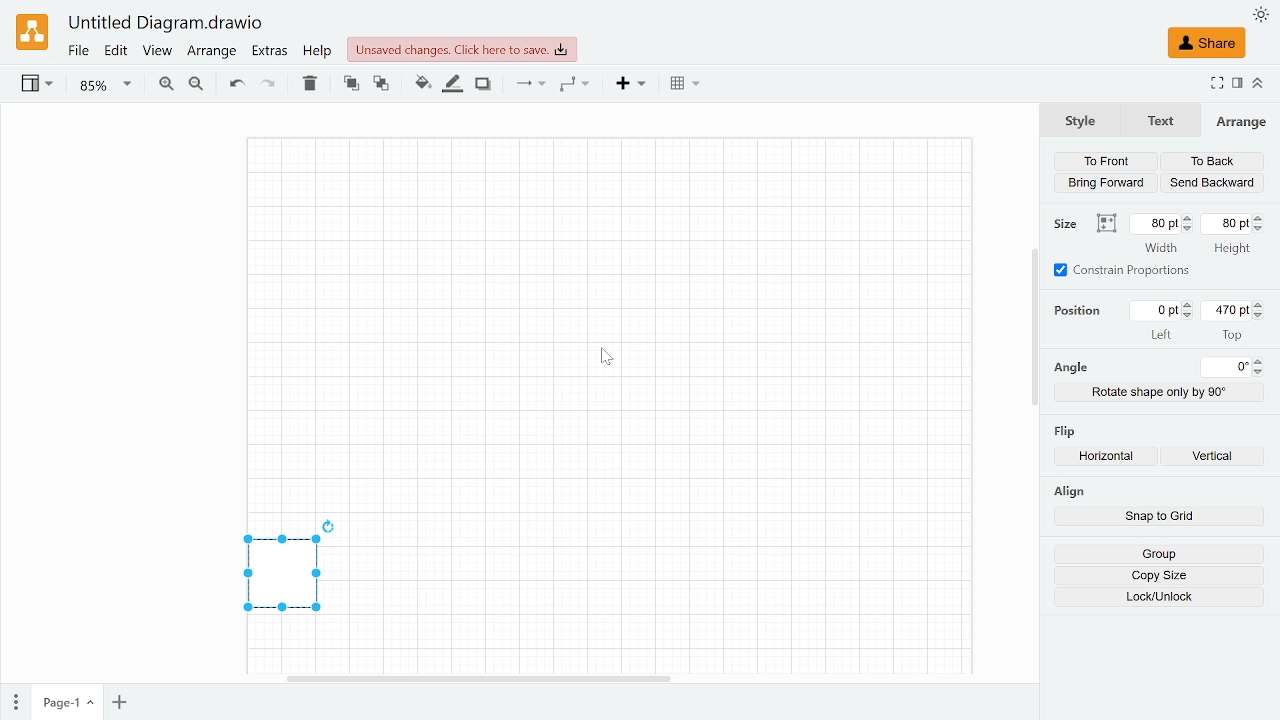  What do you see at coordinates (1261, 15) in the screenshot?
I see `Appearence` at bounding box center [1261, 15].